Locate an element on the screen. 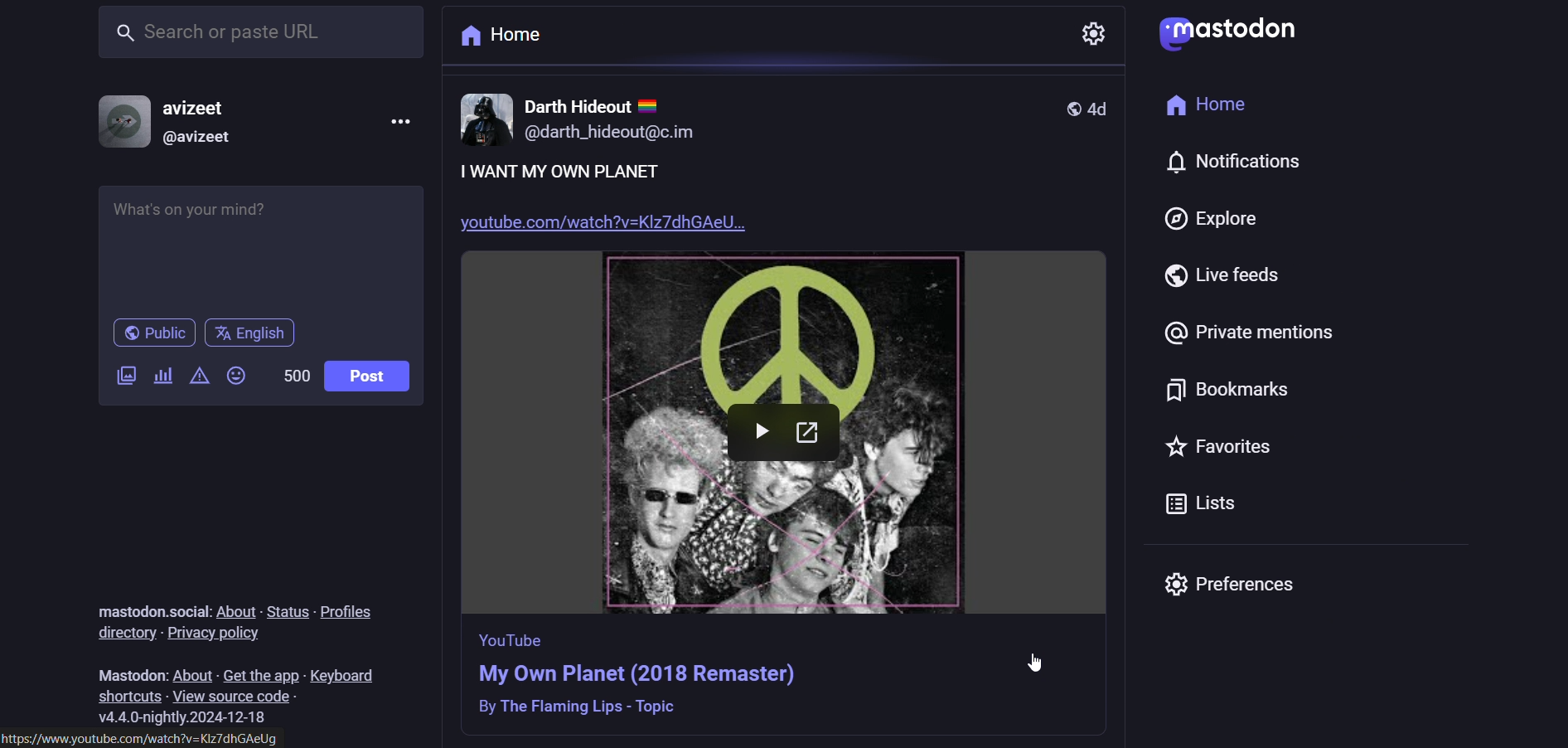 The image size is (1568, 748). darth hideout is located at coordinates (594, 104).